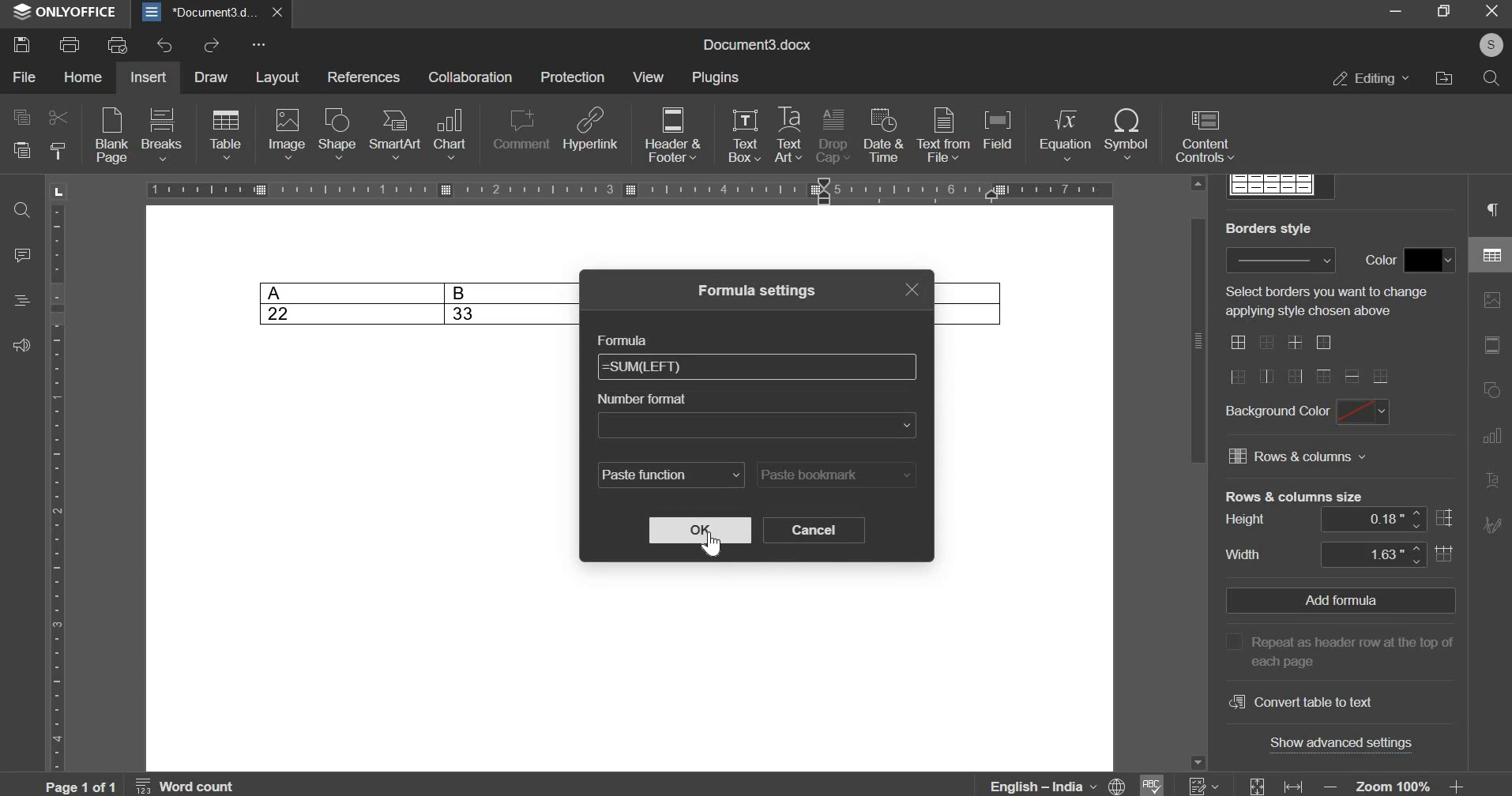 The height and width of the screenshot is (796, 1512). What do you see at coordinates (1492, 13) in the screenshot?
I see `exit` at bounding box center [1492, 13].